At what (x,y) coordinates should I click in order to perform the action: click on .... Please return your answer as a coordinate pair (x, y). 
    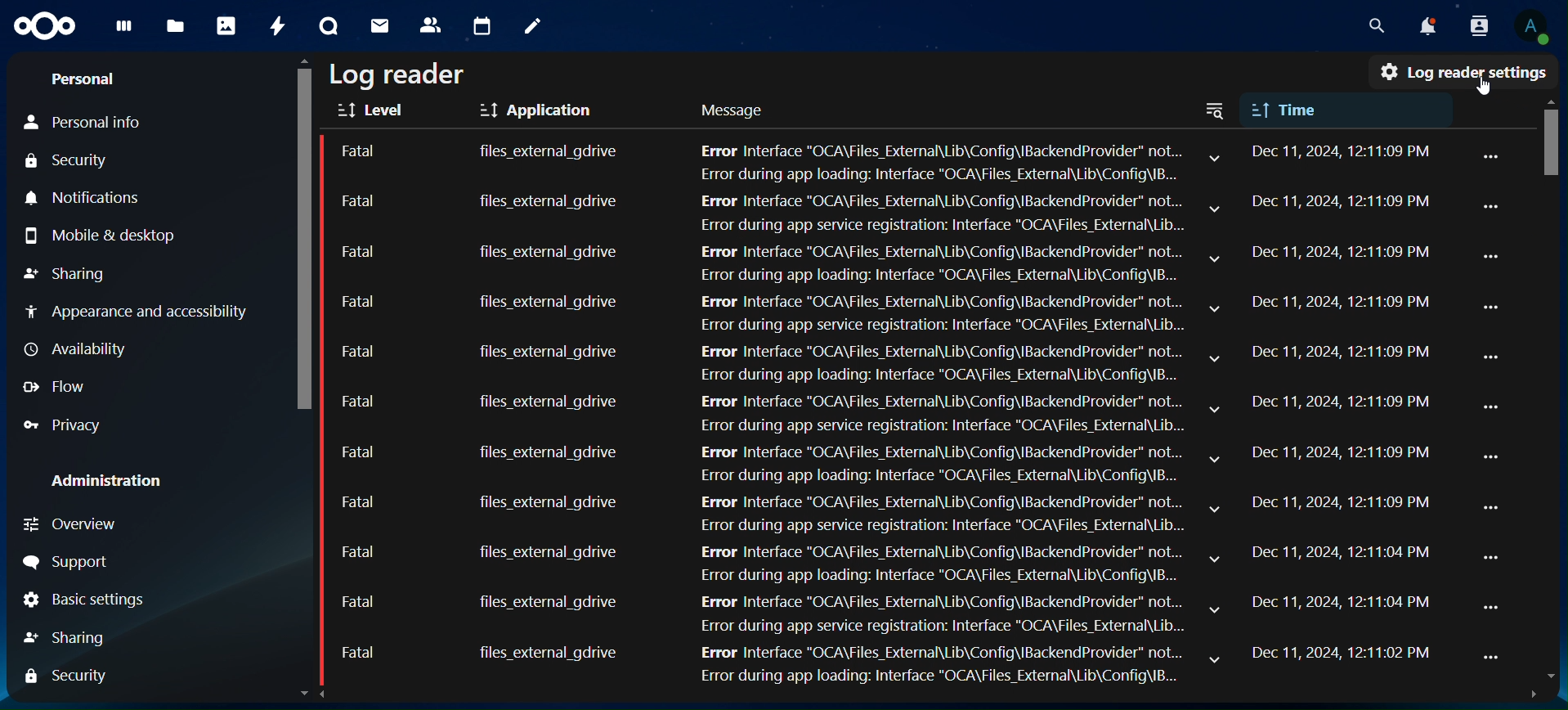
    Looking at the image, I should click on (1490, 556).